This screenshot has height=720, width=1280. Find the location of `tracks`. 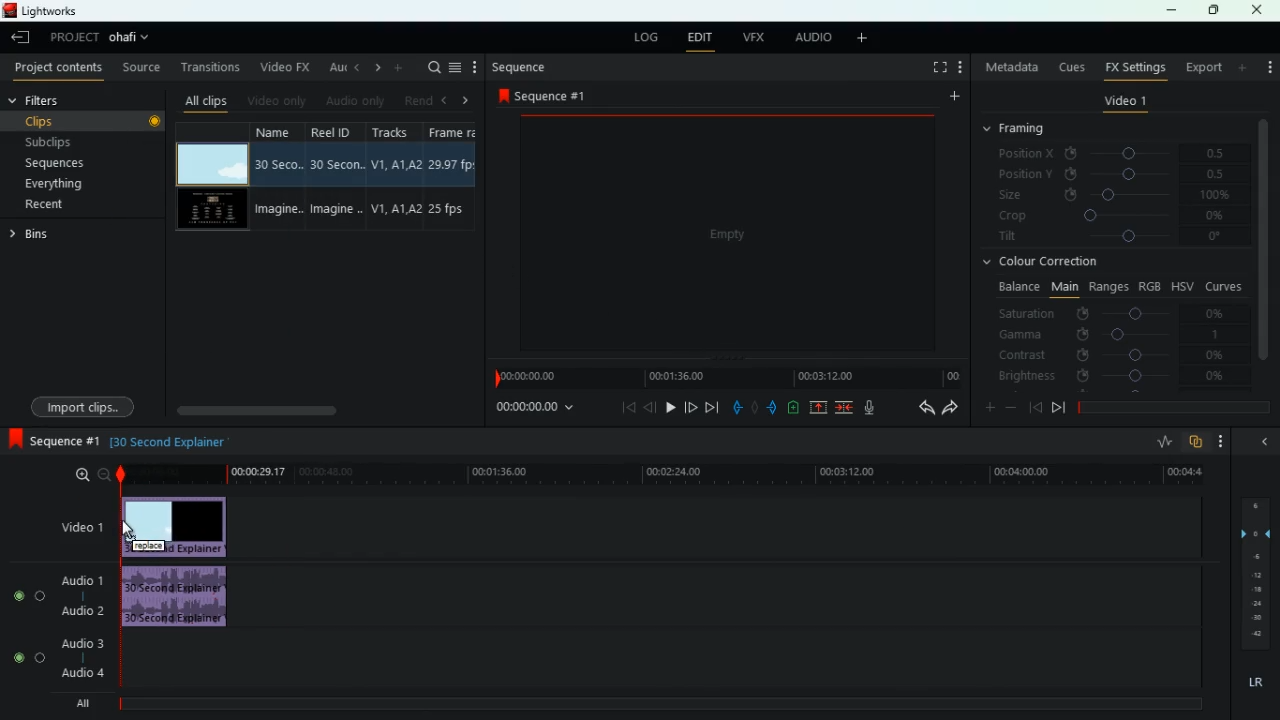

tracks is located at coordinates (396, 176).